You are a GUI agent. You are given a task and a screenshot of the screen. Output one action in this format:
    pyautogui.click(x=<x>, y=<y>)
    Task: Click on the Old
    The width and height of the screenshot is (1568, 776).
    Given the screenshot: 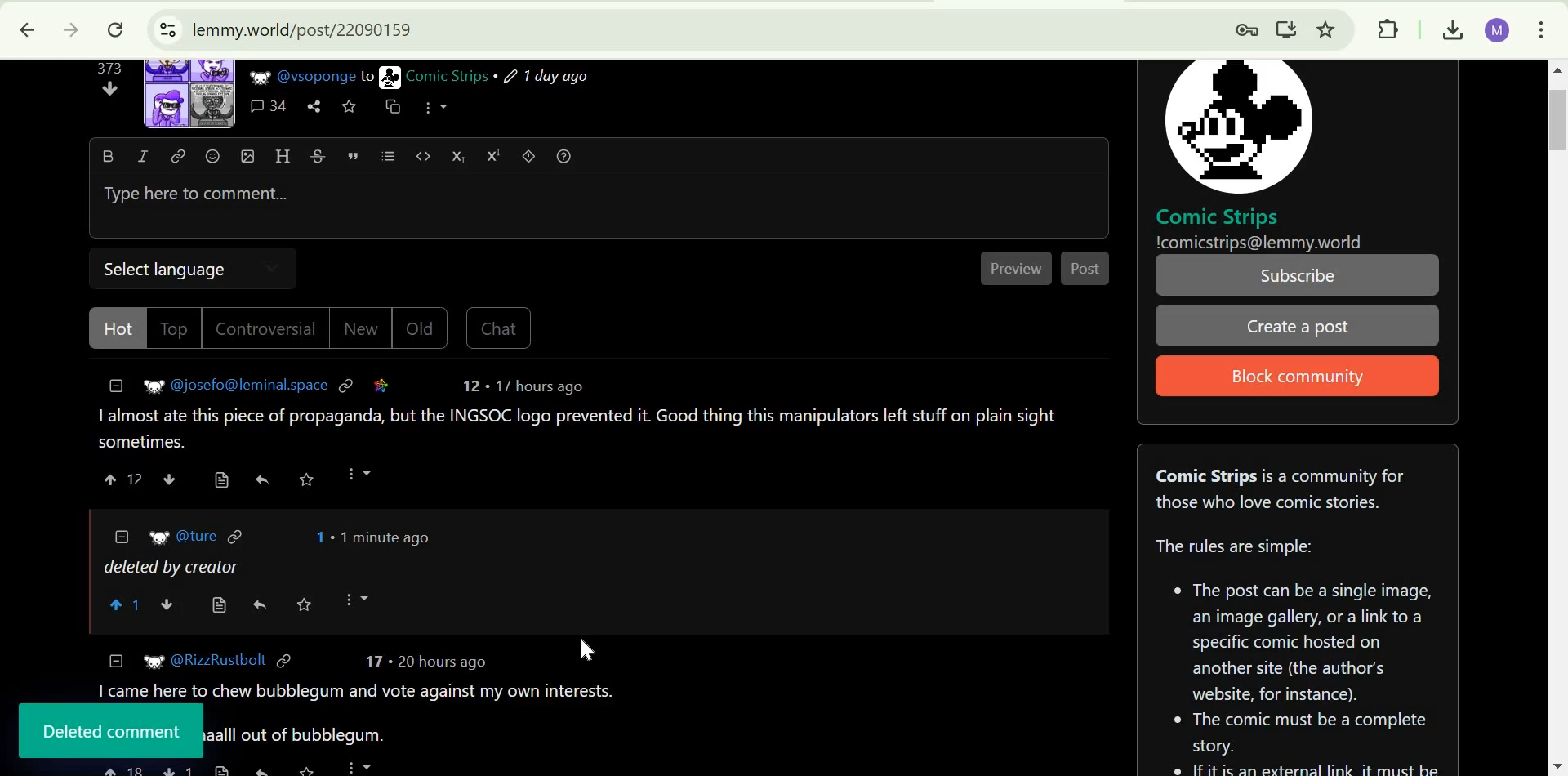 What is the action you would take?
    pyautogui.click(x=421, y=328)
    